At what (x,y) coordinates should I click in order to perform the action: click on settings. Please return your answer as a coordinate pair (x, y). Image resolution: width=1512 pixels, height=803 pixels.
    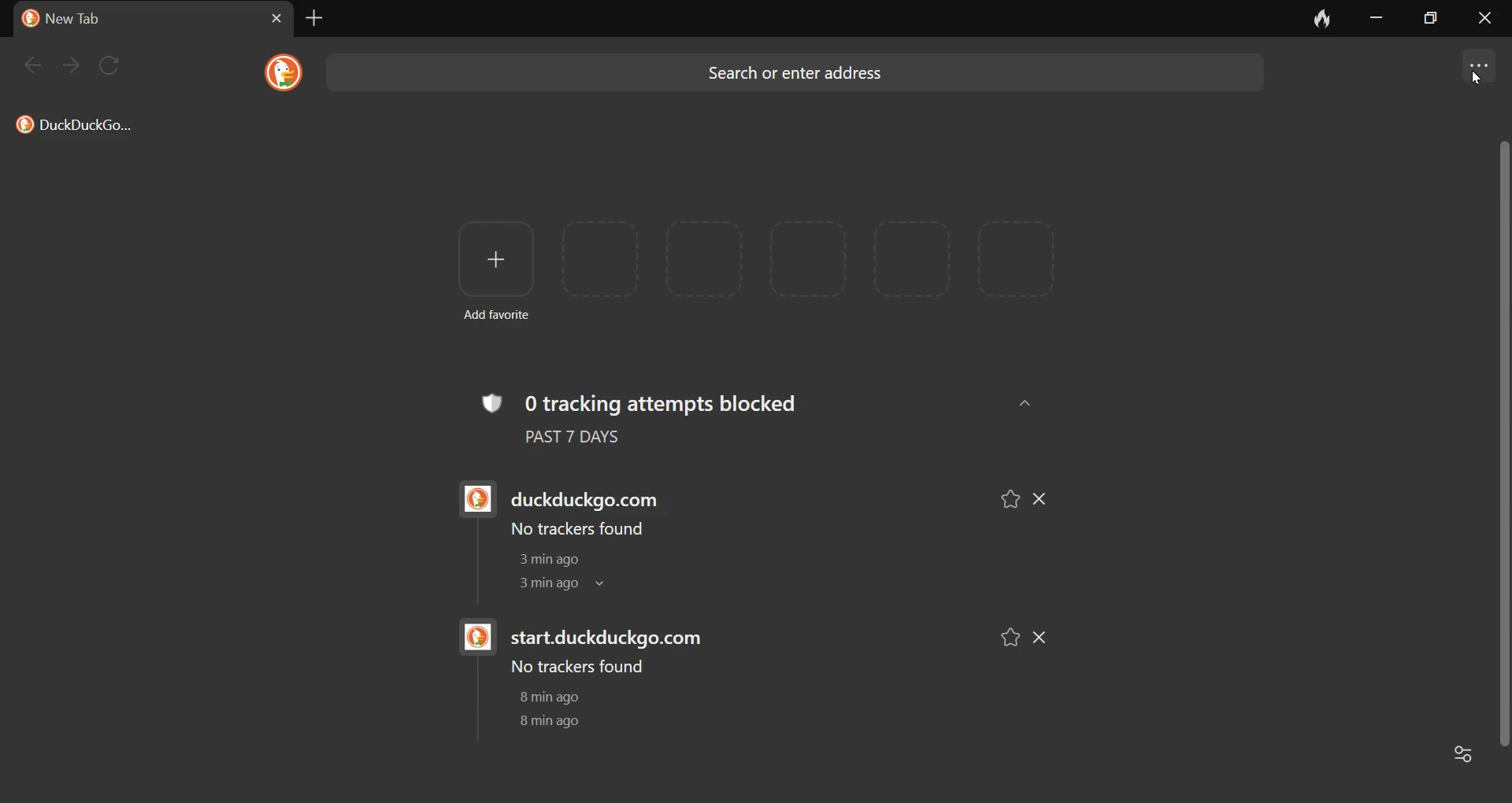
    Looking at the image, I should click on (1464, 757).